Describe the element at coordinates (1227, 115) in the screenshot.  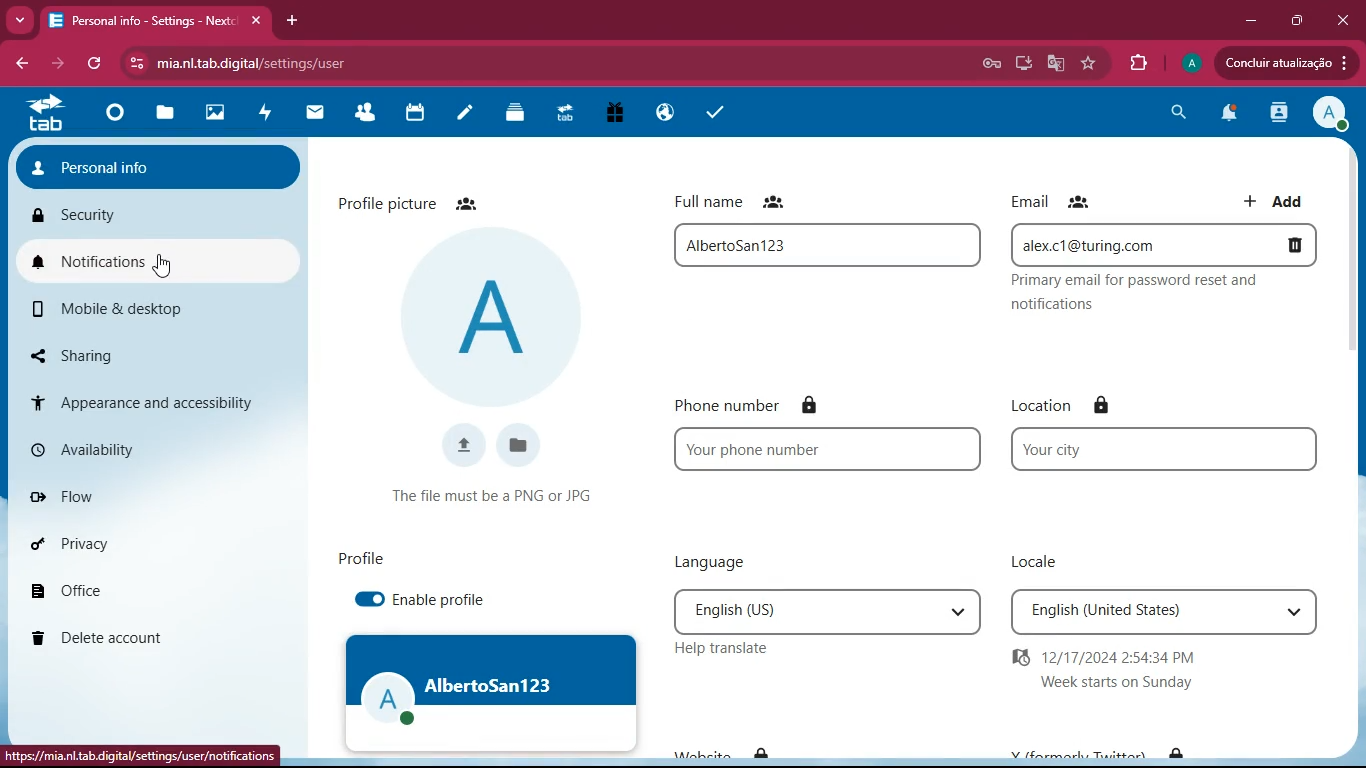
I see `notifications` at that location.